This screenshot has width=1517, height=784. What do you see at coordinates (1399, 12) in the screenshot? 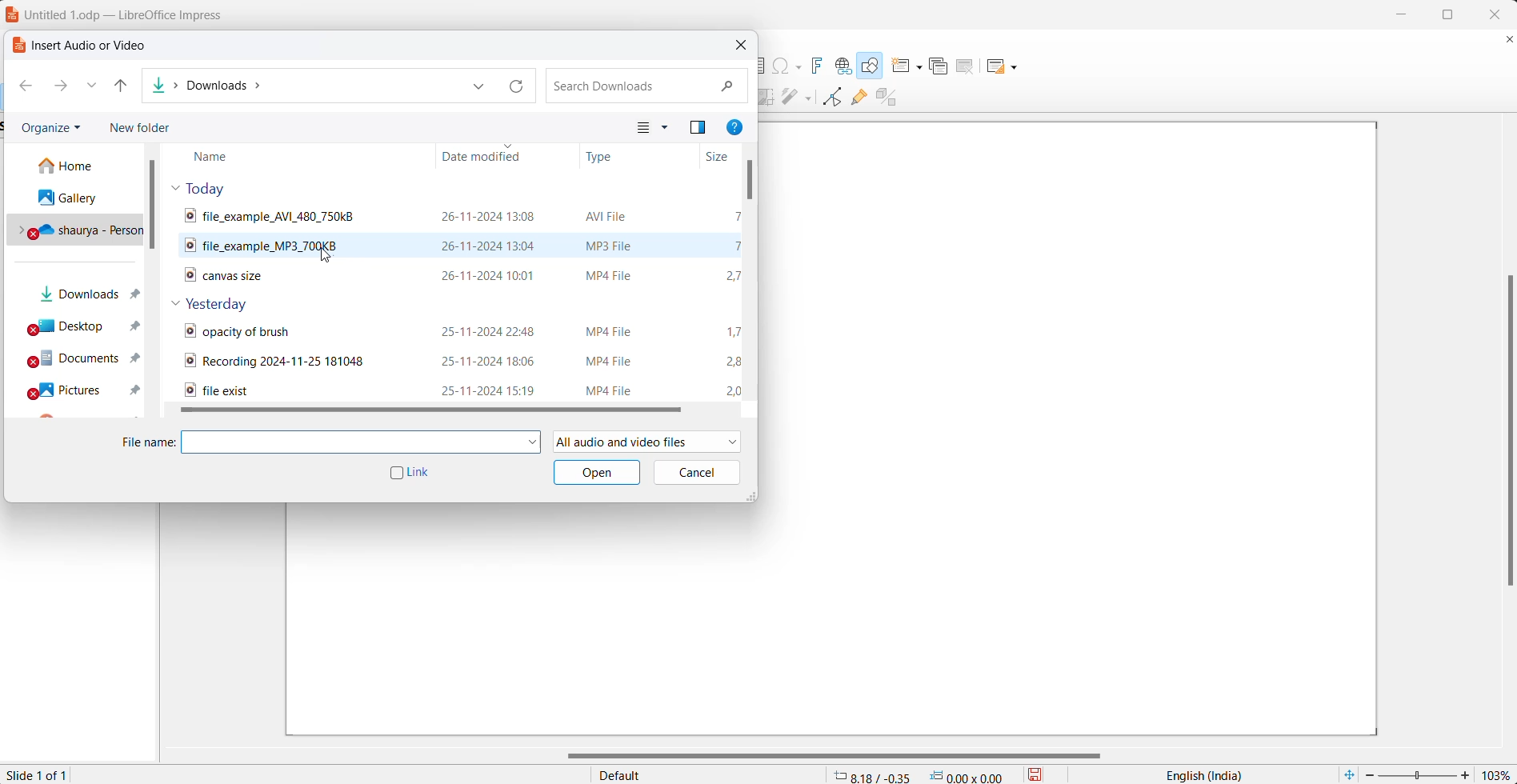
I see `minimize` at bounding box center [1399, 12].